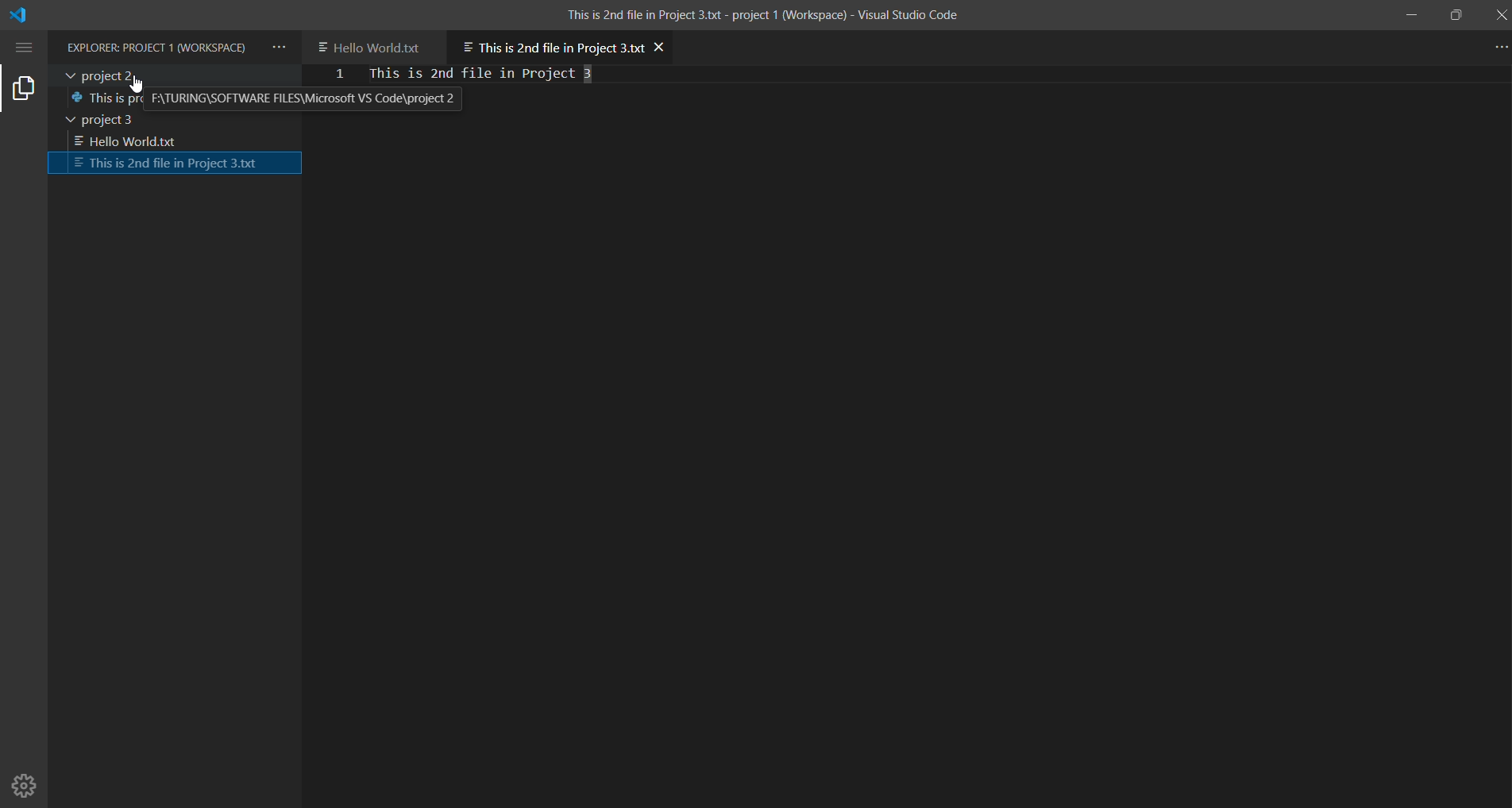 This screenshot has height=808, width=1512. I want to click on close file, so click(661, 46).